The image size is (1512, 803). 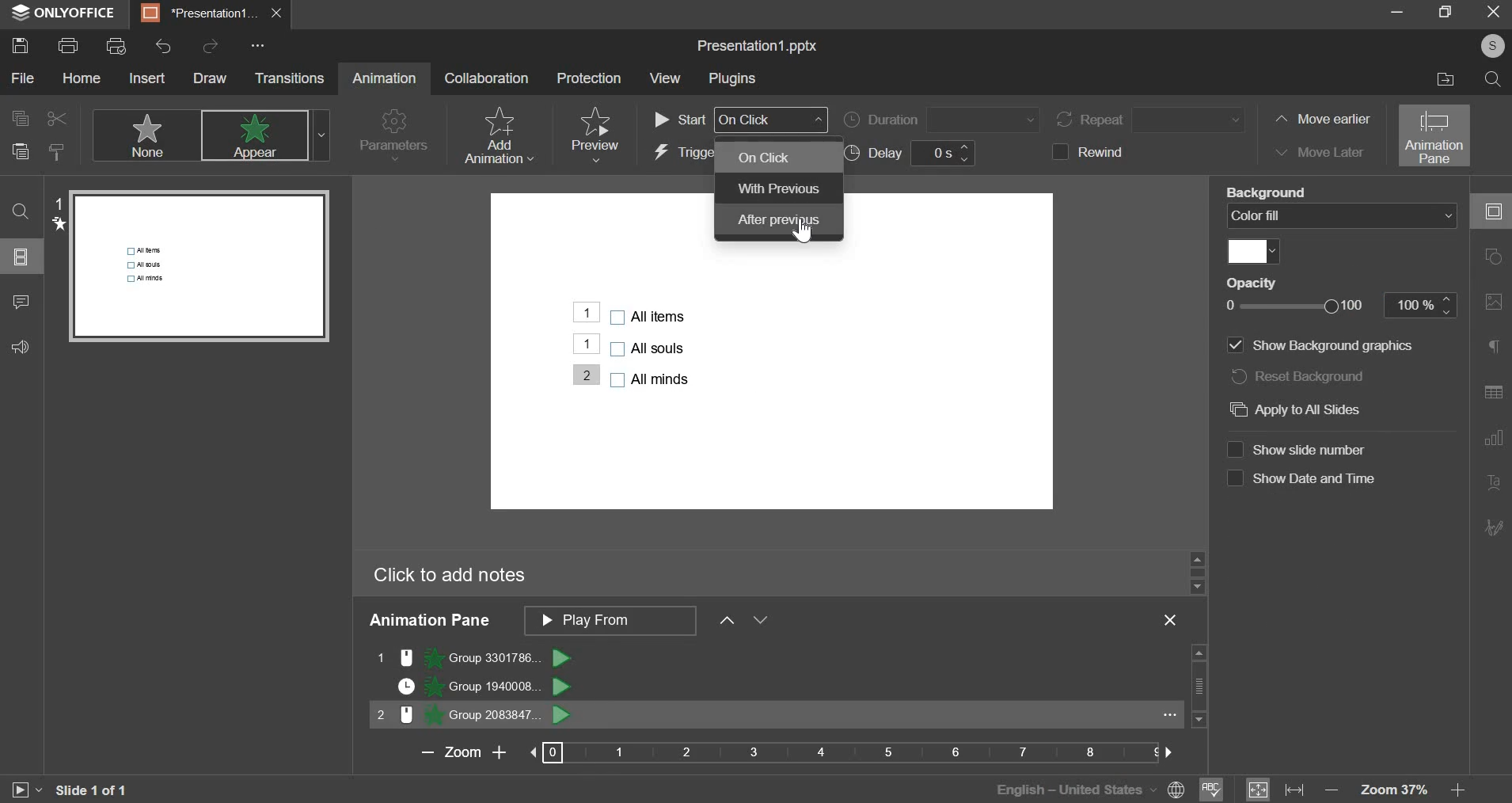 I want to click on show date and time, so click(x=1301, y=479).